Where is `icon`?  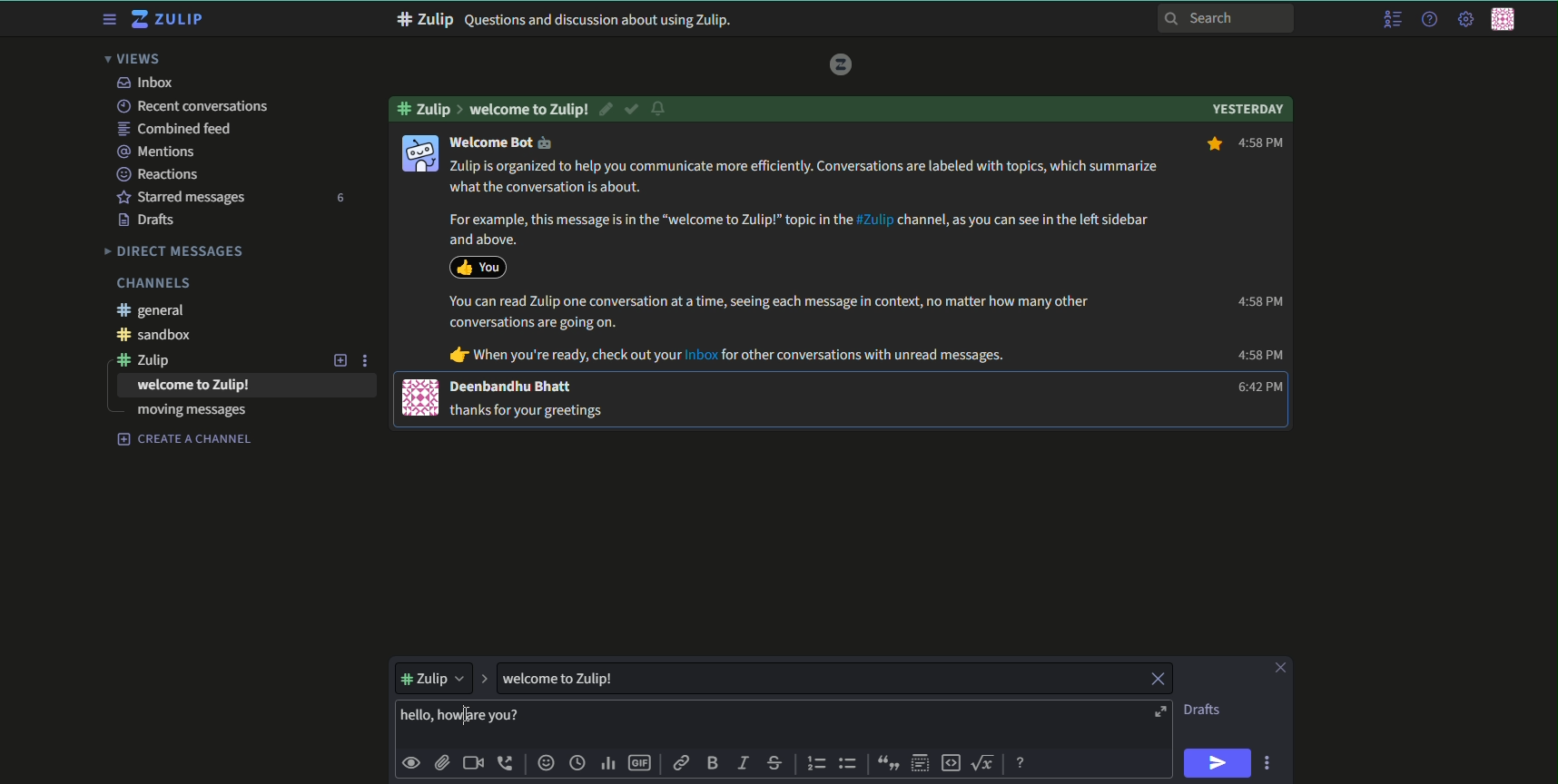
icon is located at coordinates (421, 397).